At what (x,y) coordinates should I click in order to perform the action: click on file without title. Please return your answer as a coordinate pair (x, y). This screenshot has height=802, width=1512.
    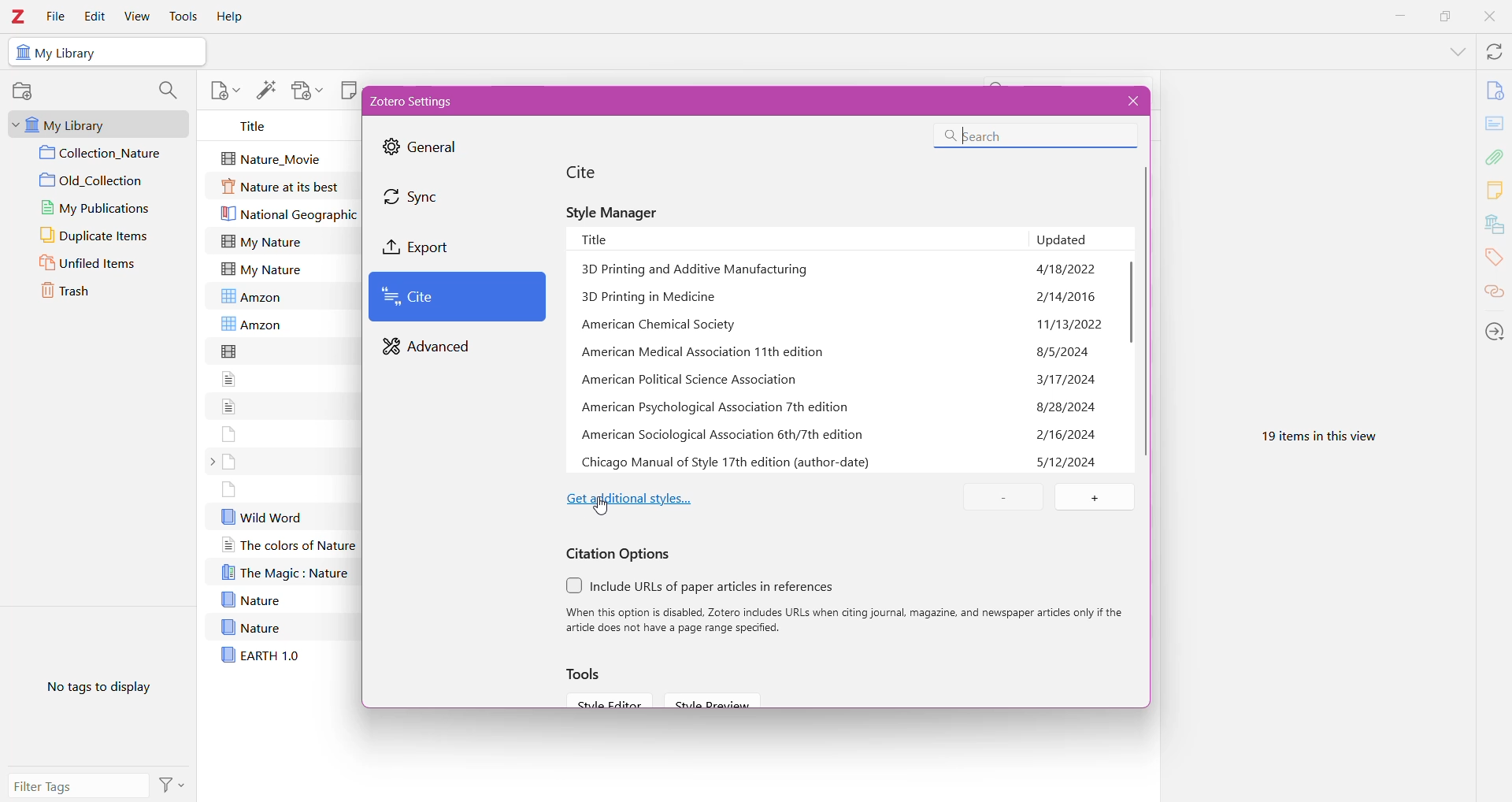
    Looking at the image, I should click on (231, 378).